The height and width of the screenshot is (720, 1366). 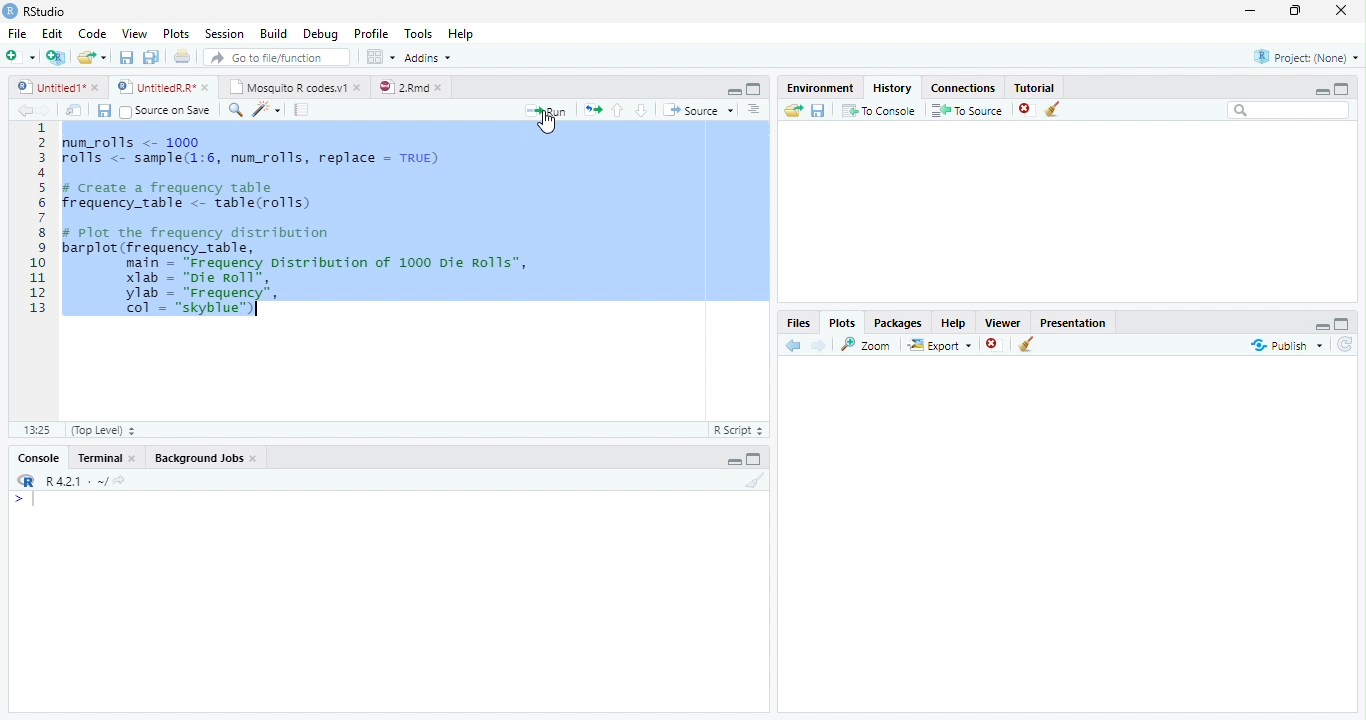 What do you see at coordinates (995, 346) in the screenshot?
I see `Remove Selected` at bounding box center [995, 346].